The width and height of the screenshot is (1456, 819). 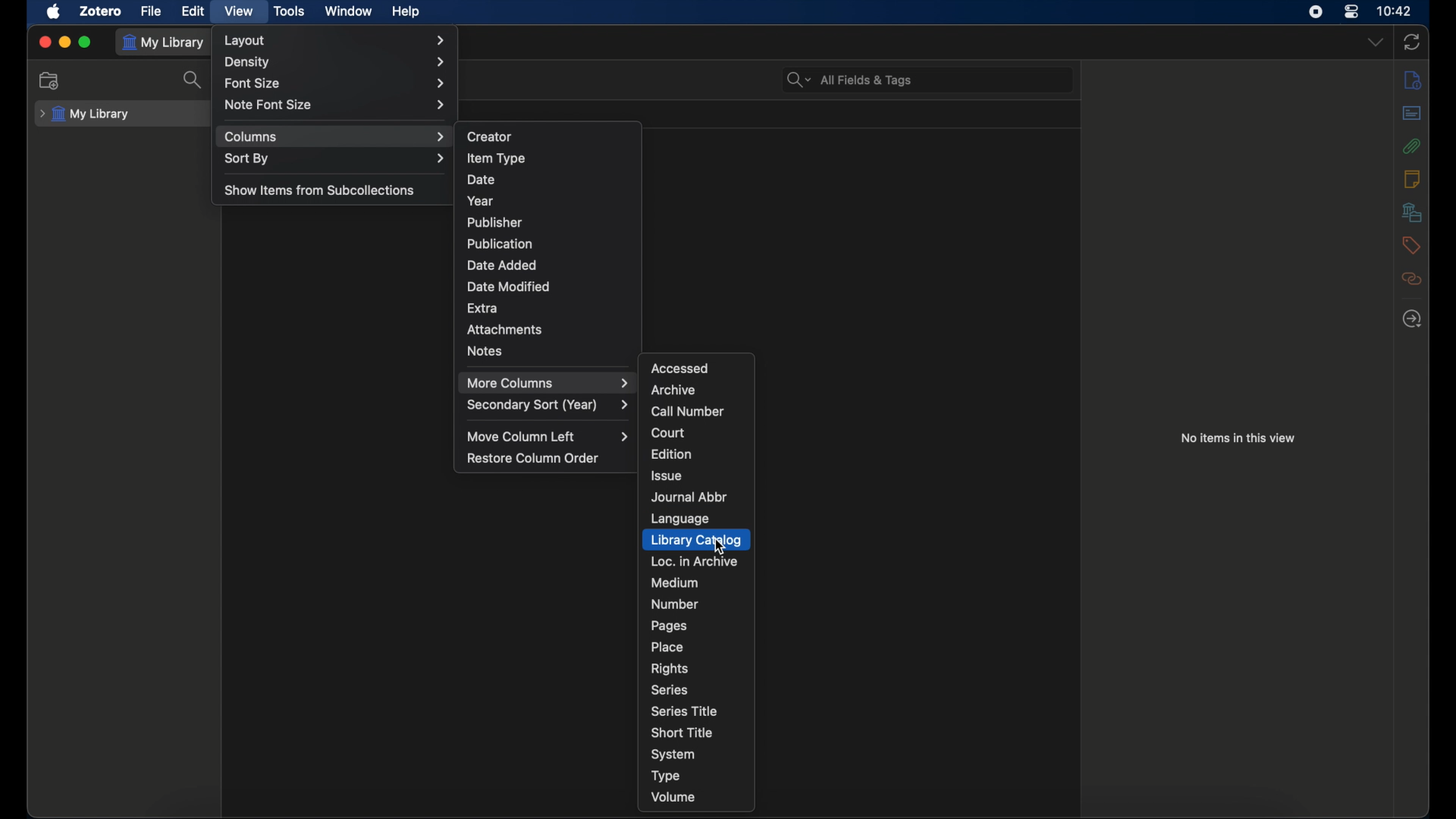 What do you see at coordinates (151, 11) in the screenshot?
I see `file` at bounding box center [151, 11].